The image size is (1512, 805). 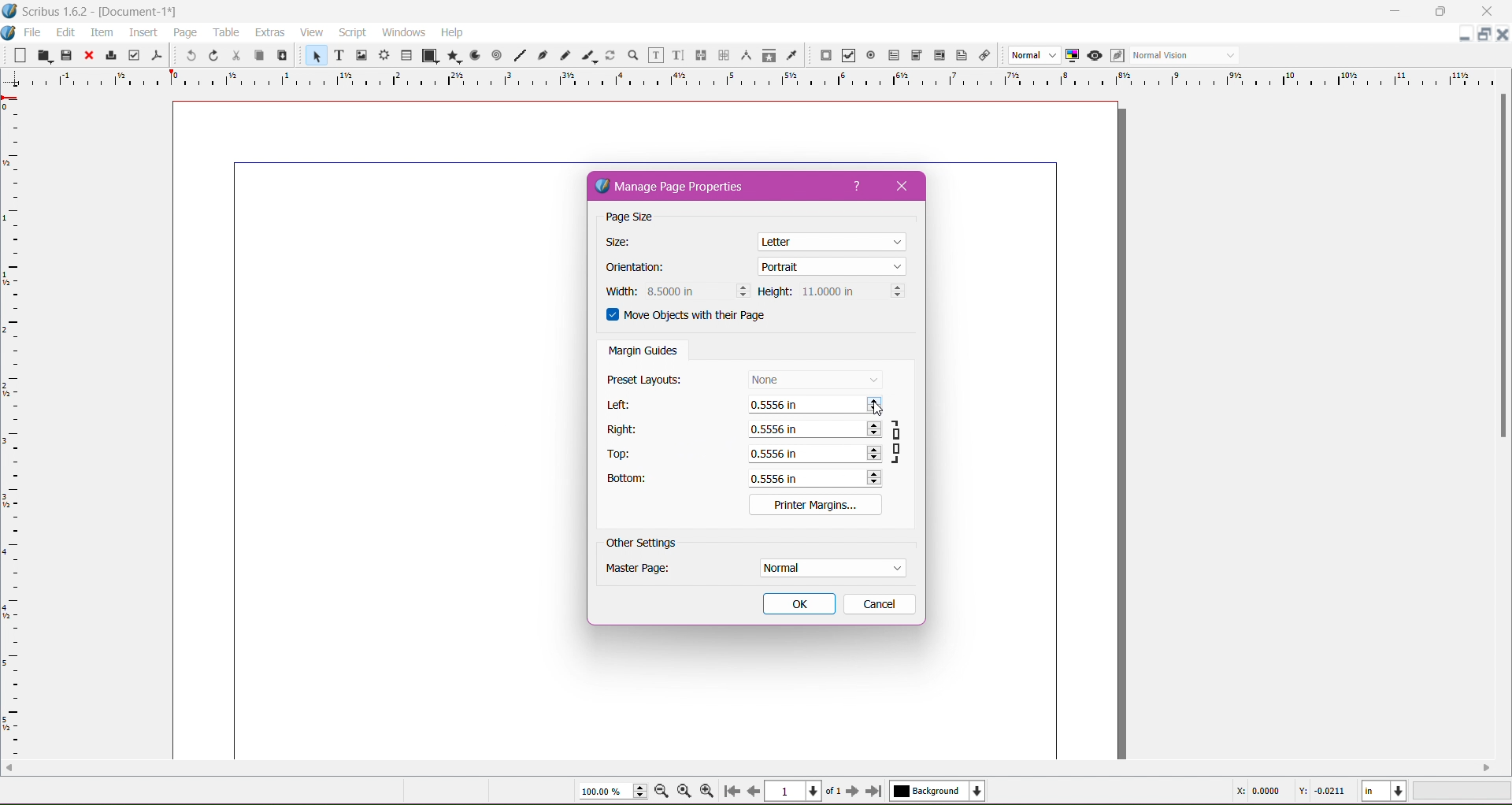 I want to click on Edit Text with Story Editor, so click(x=676, y=55).